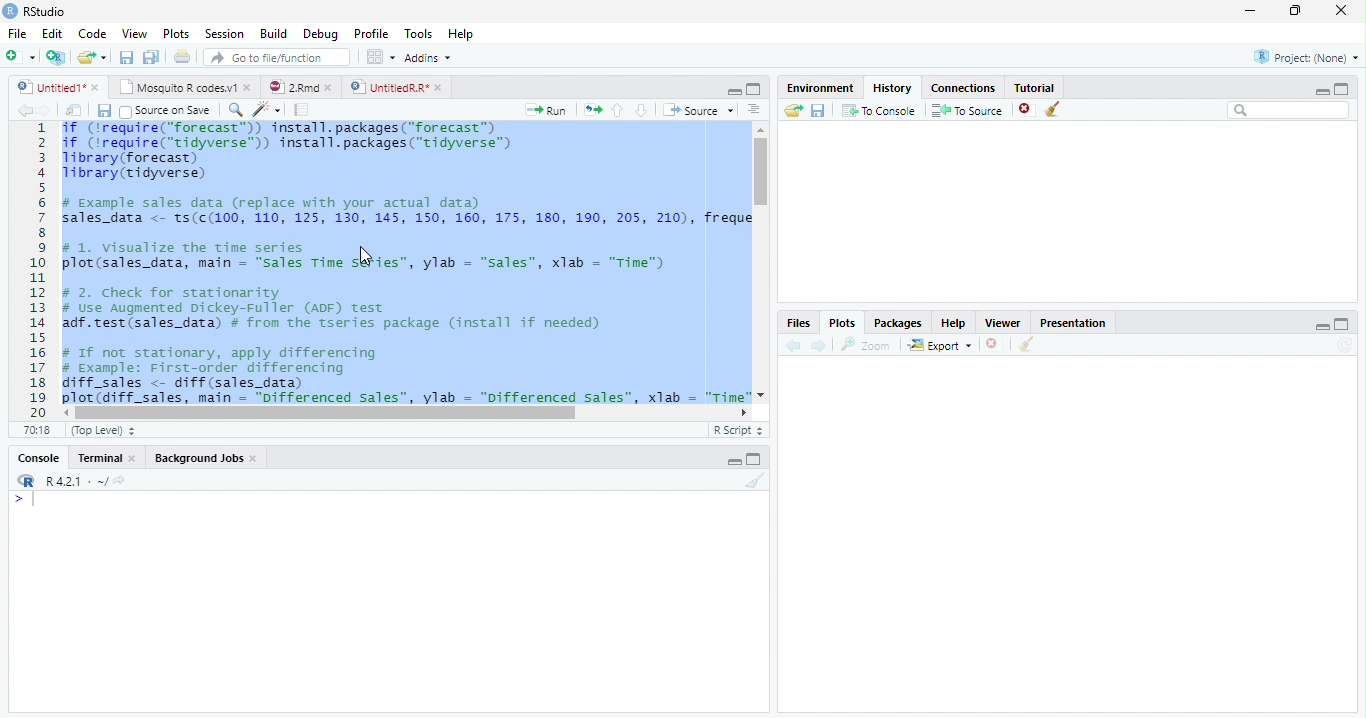 This screenshot has height=718, width=1366. Describe the element at coordinates (106, 457) in the screenshot. I see `Terminal` at that location.